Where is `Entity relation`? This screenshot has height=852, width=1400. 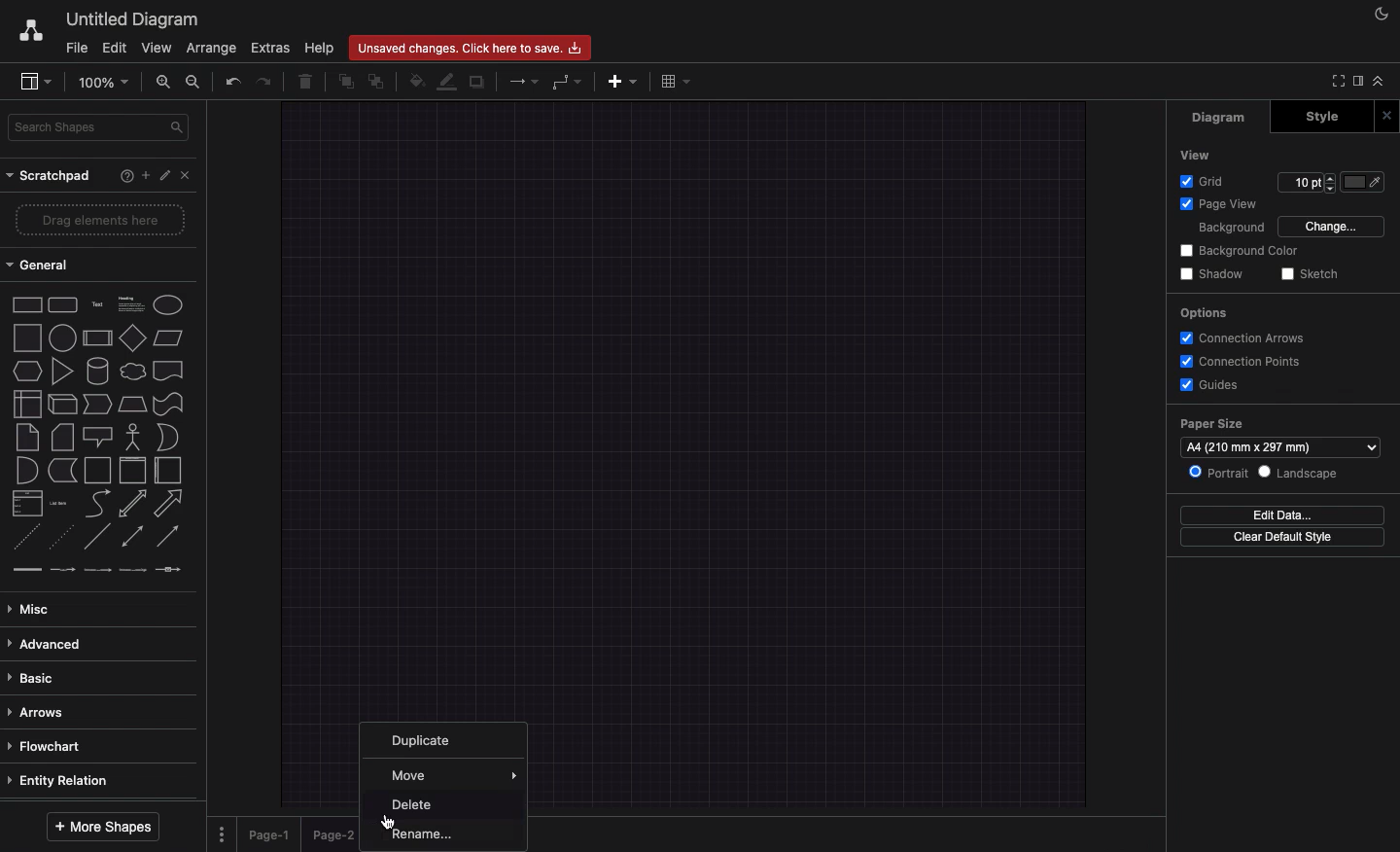
Entity relation is located at coordinates (59, 780).